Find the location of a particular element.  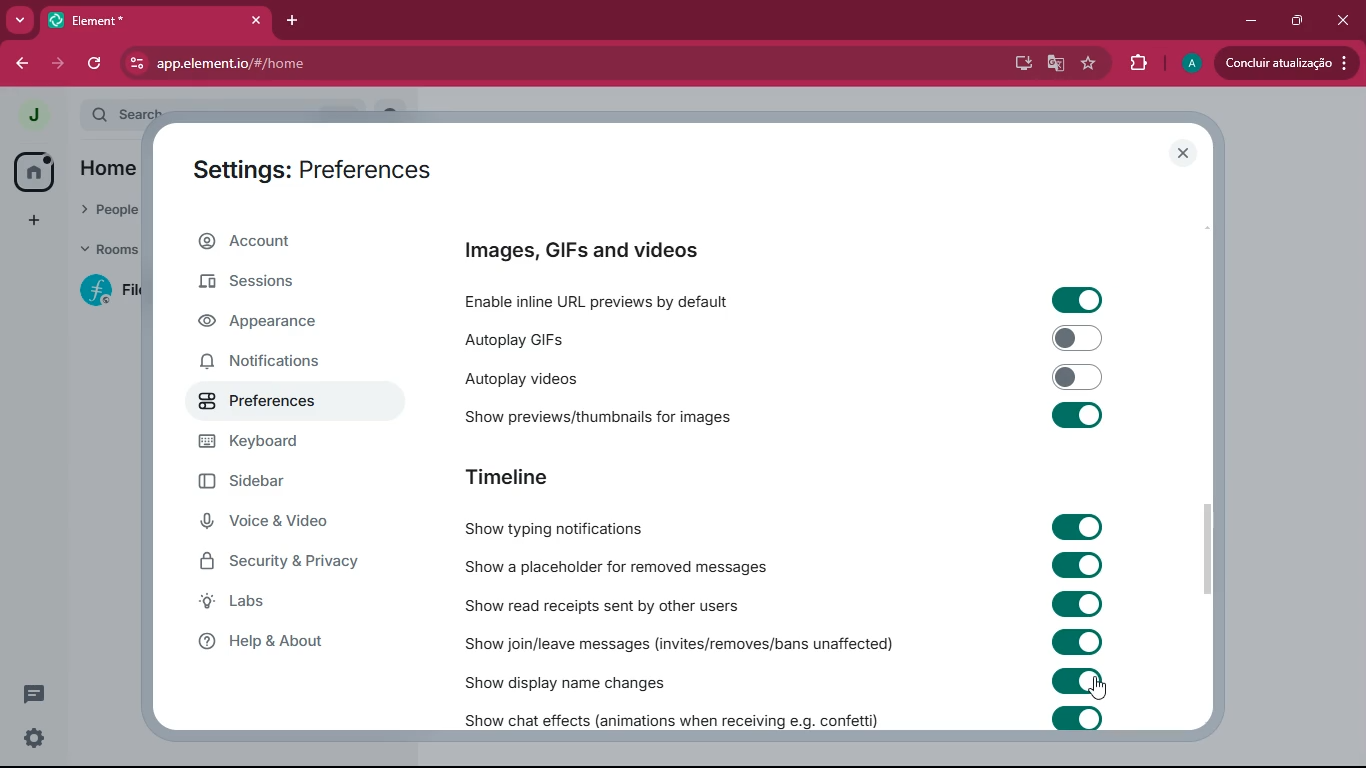

add tab is located at coordinates (295, 21).